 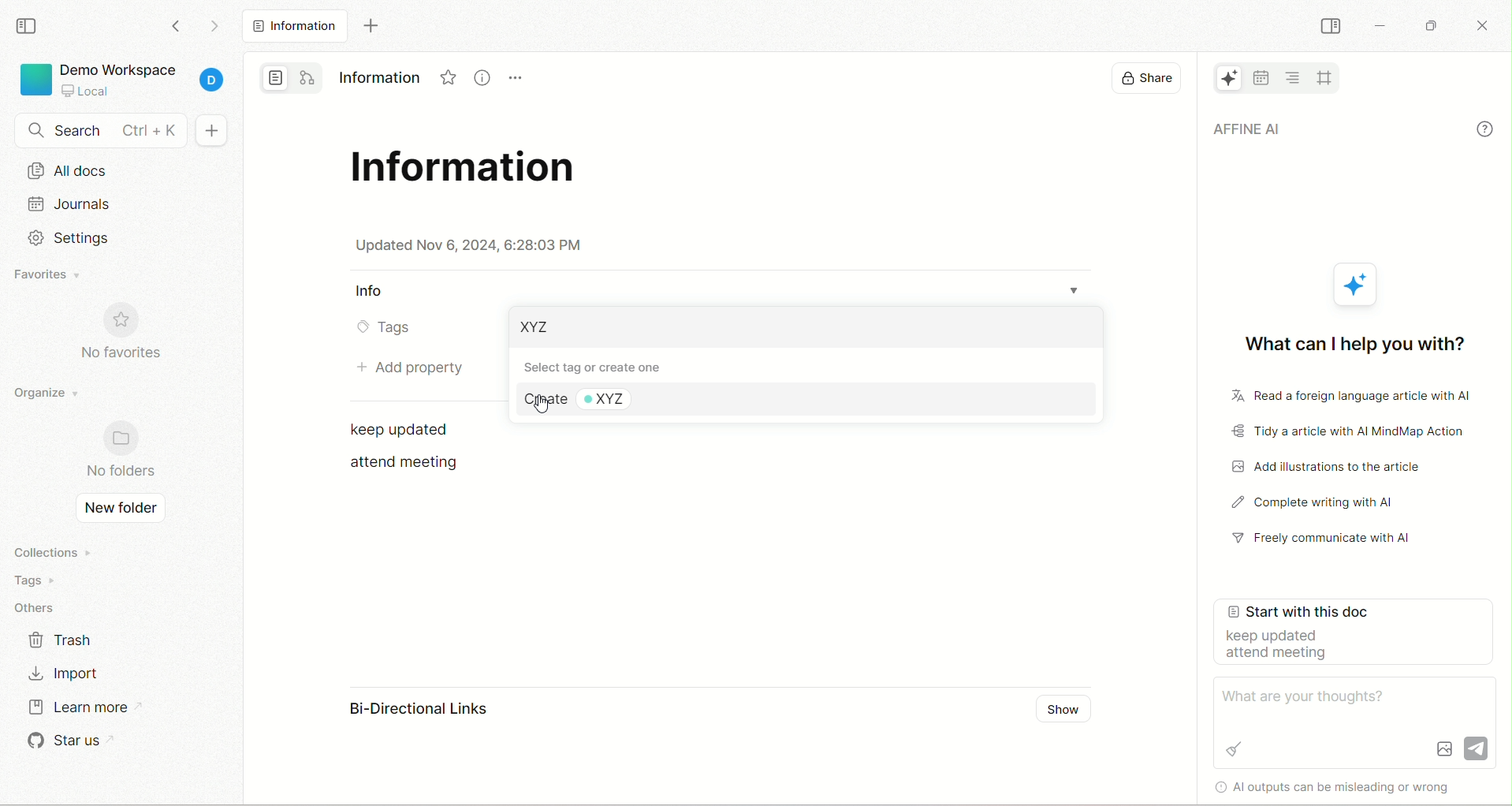 What do you see at coordinates (67, 640) in the screenshot?
I see `trash` at bounding box center [67, 640].